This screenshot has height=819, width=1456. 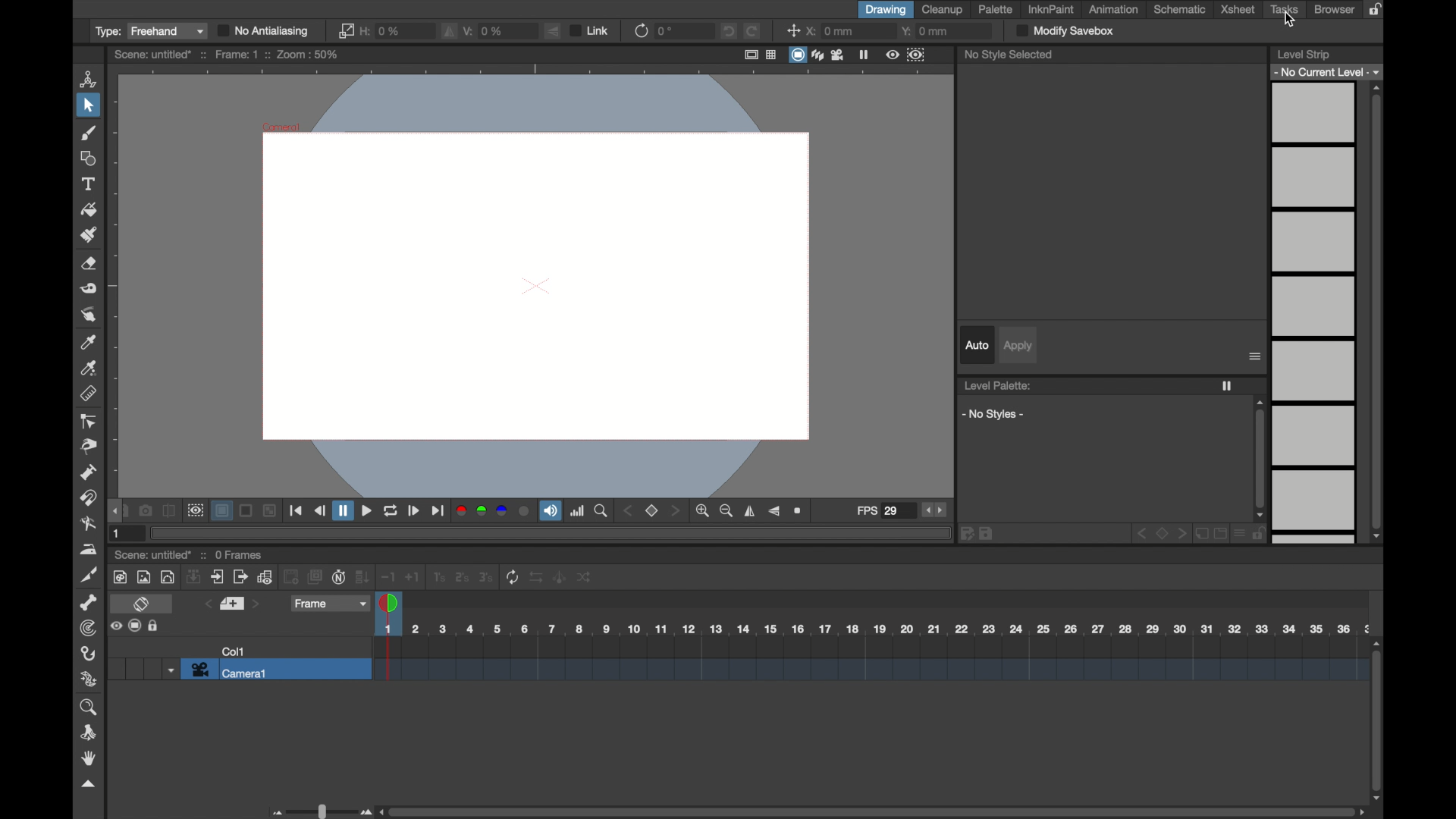 What do you see at coordinates (1260, 460) in the screenshot?
I see `scroll box` at bounding box center [1260, 460].